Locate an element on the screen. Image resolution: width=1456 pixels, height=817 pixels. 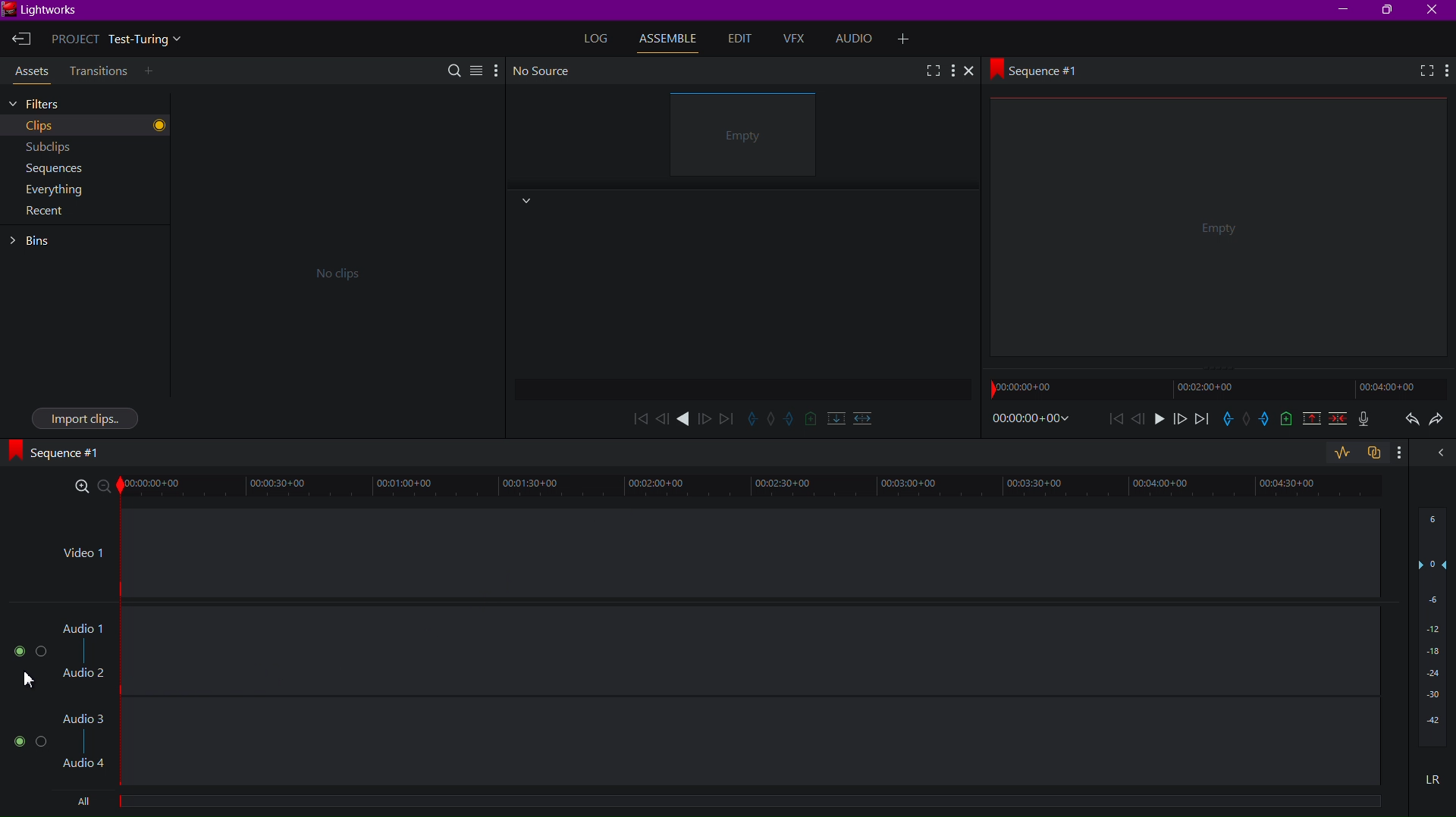
Collapse is located at coordinates (525, 202).